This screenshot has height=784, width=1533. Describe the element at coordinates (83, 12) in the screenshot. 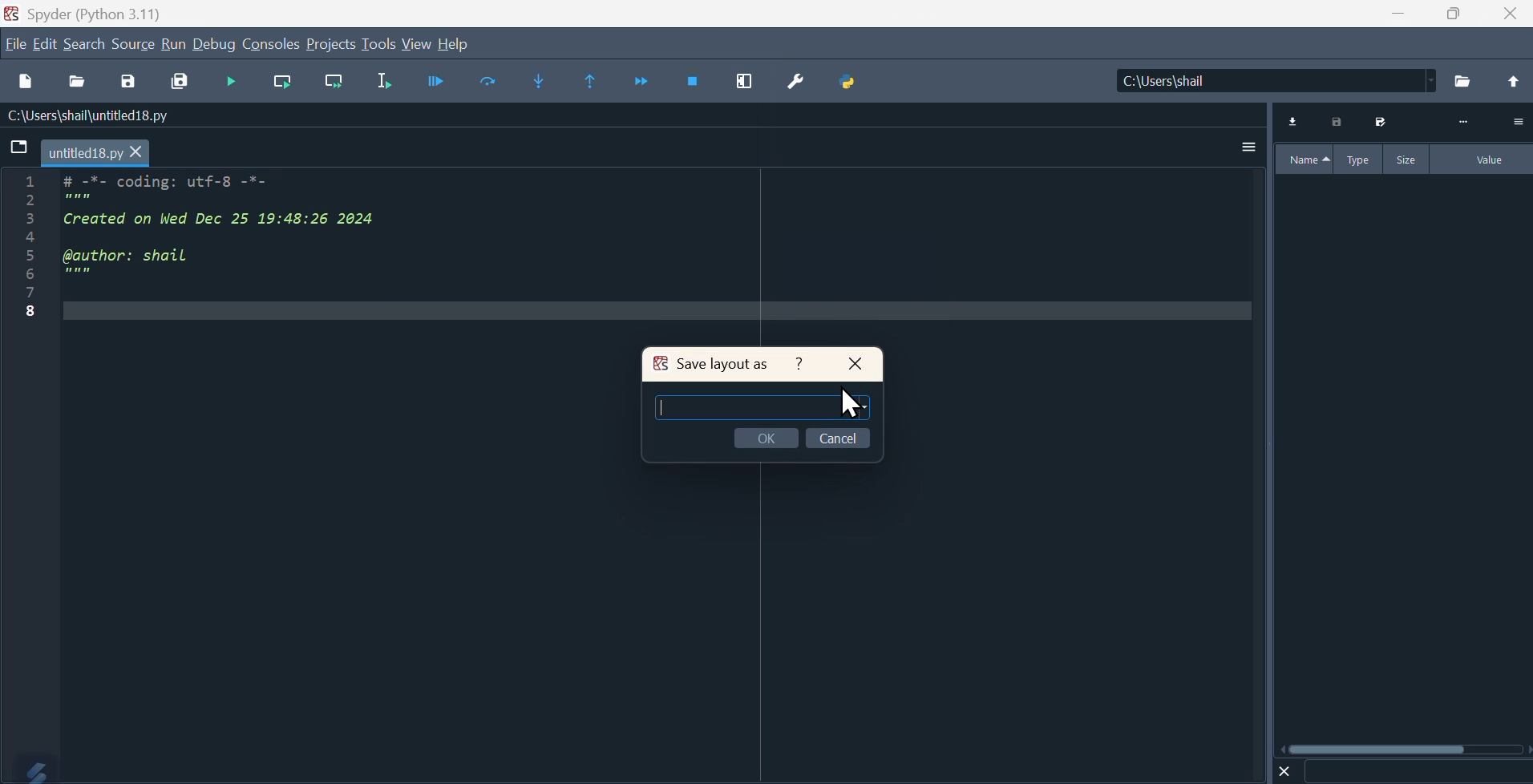

I see `Spyder (Python 3.11)` at that location.